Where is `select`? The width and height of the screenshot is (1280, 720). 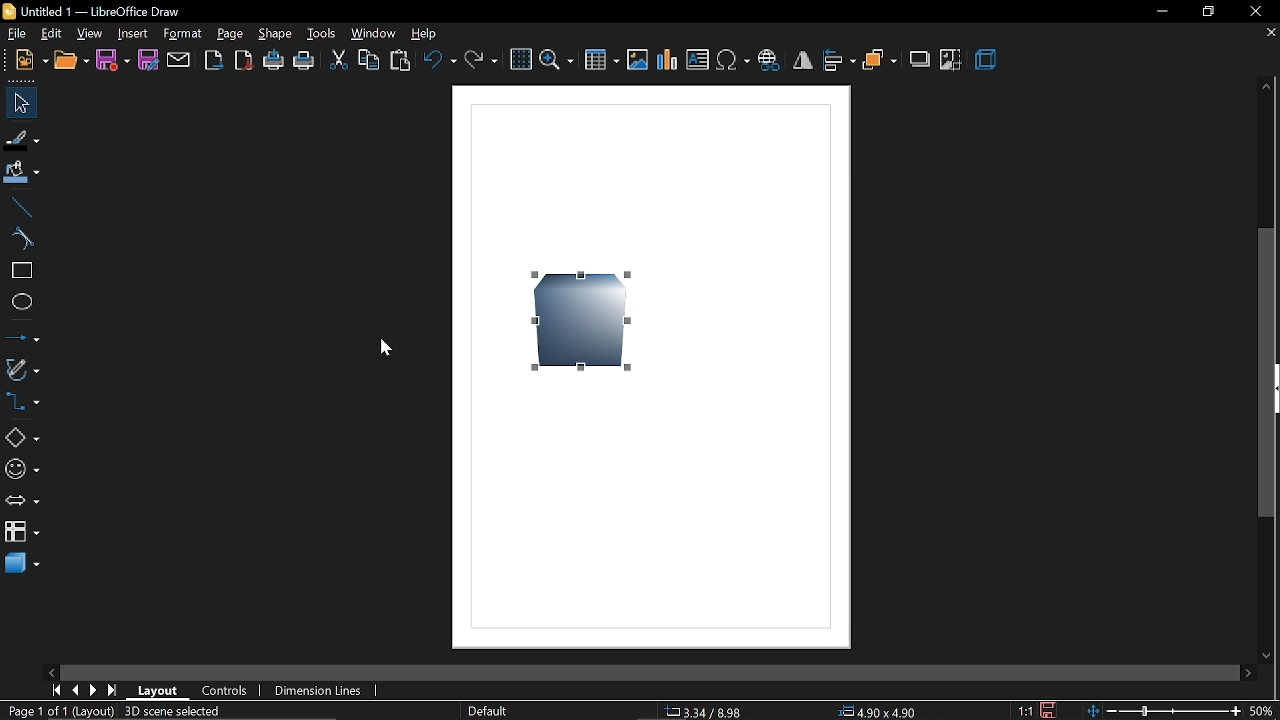 select is located at coordinates (17, 102).